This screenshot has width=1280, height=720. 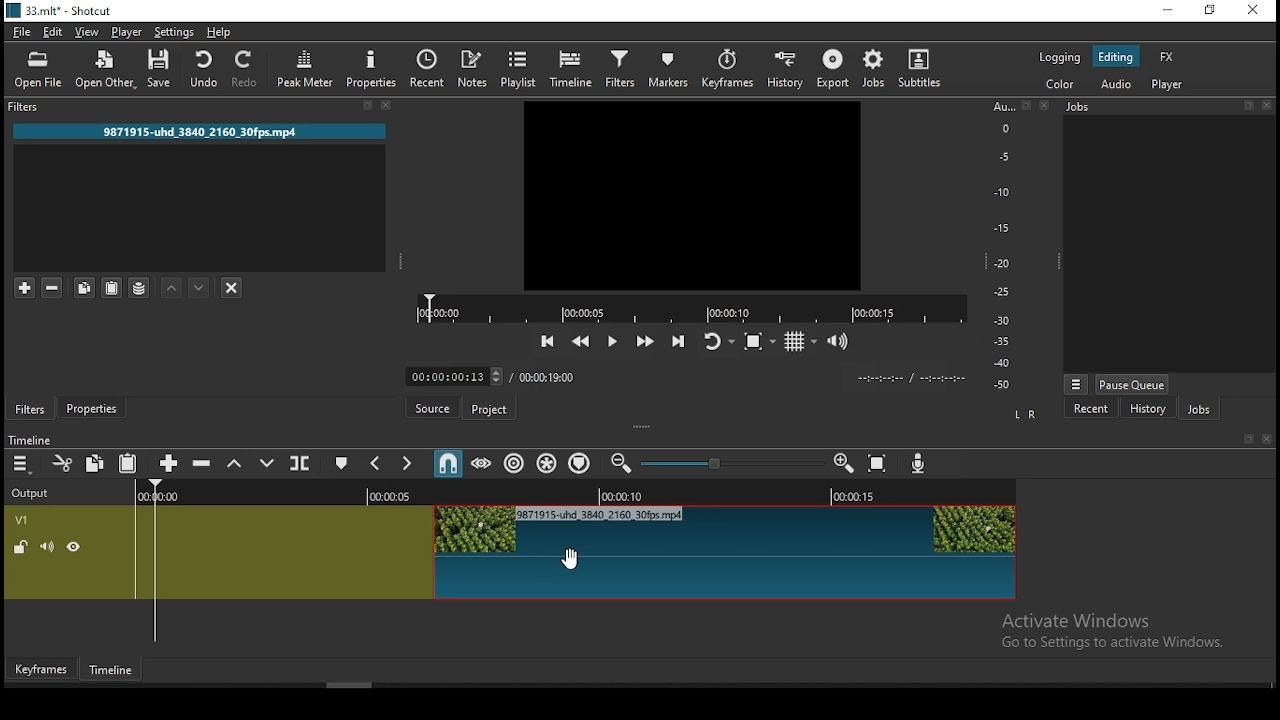 What do you see at coordinates (583, 341) in the screenshot?
I see `play quickly backward` at bounding box center [583, 341].